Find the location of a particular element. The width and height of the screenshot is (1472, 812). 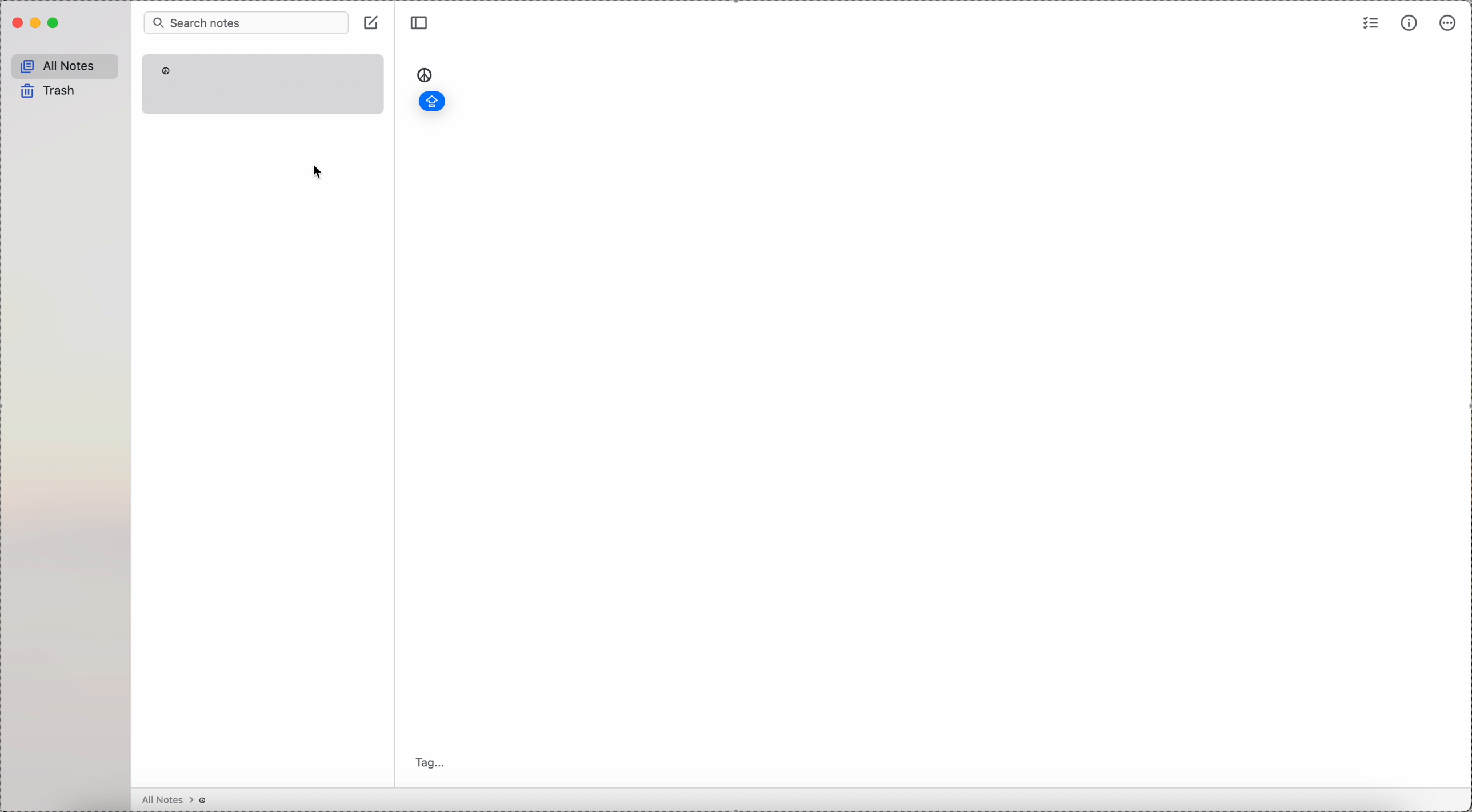

toggle sidebar is located at coordinates (419, 23).